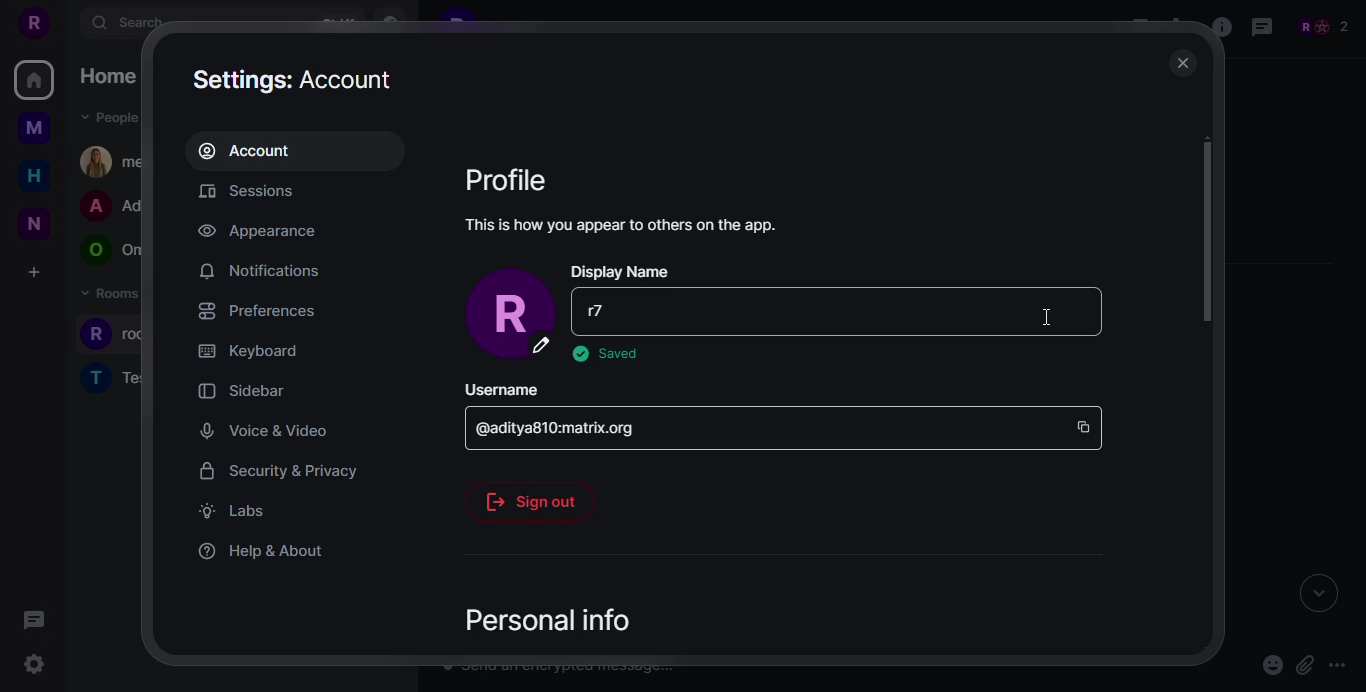 Image resolution: width=1366 pixels, height=692 pixels. What do you see at coordinates (258, 231) in the screenshot?
I see `appearance` at bounding box center [258, 231].